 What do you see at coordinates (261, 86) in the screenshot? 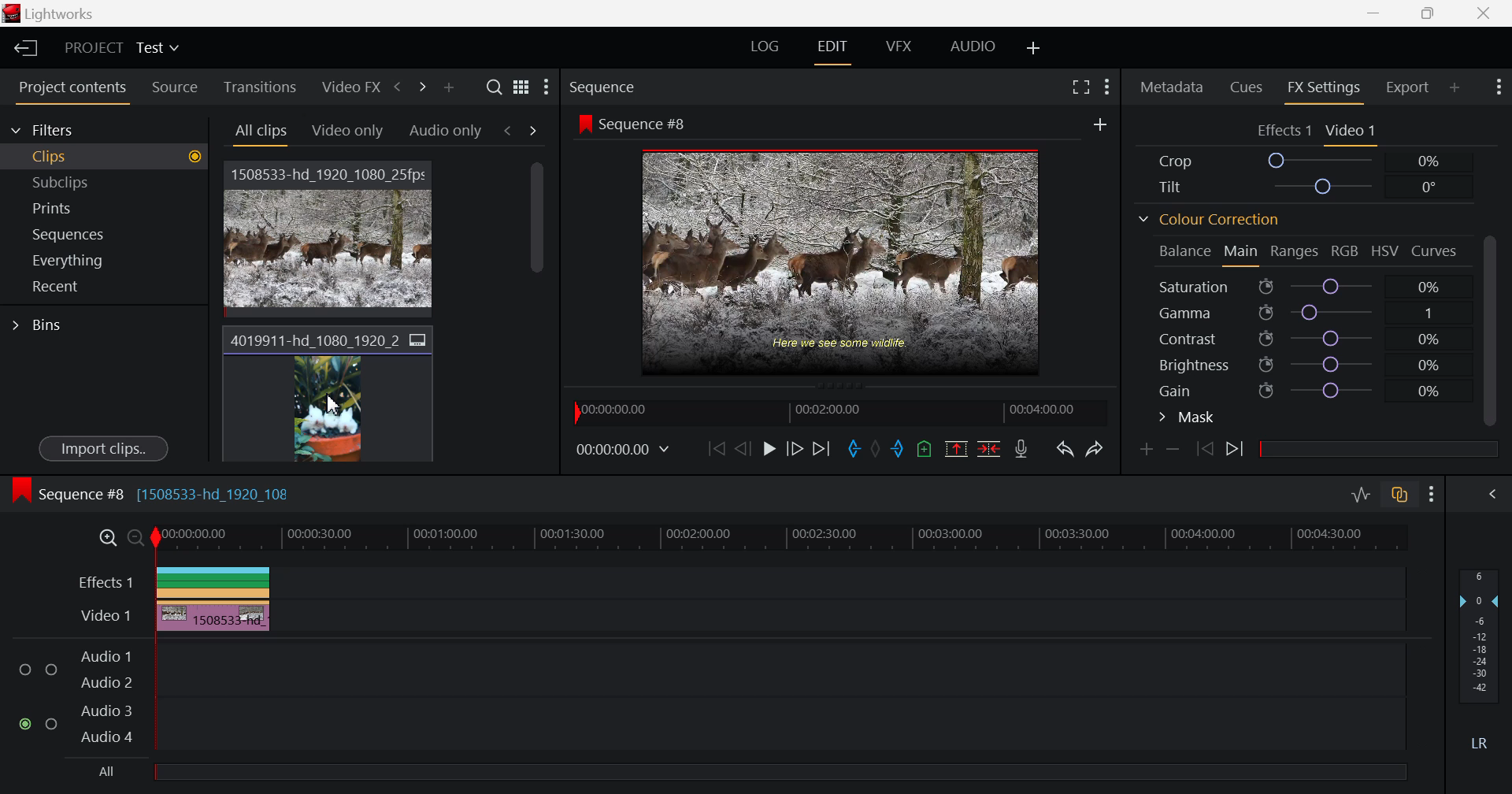
I see `Transitions` at bounding box center [261, 86].